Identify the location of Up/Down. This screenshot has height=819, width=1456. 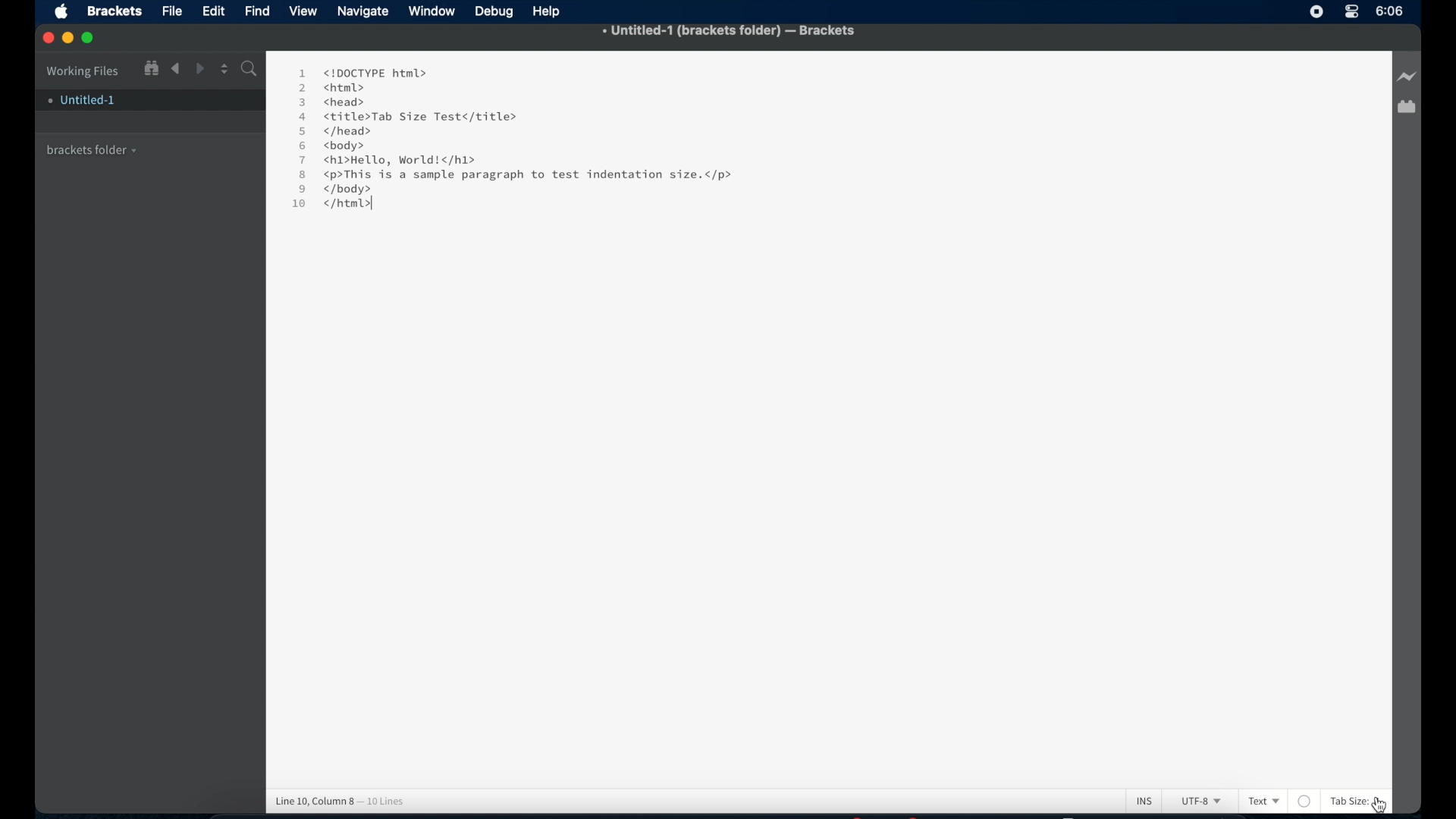
(224, 68).